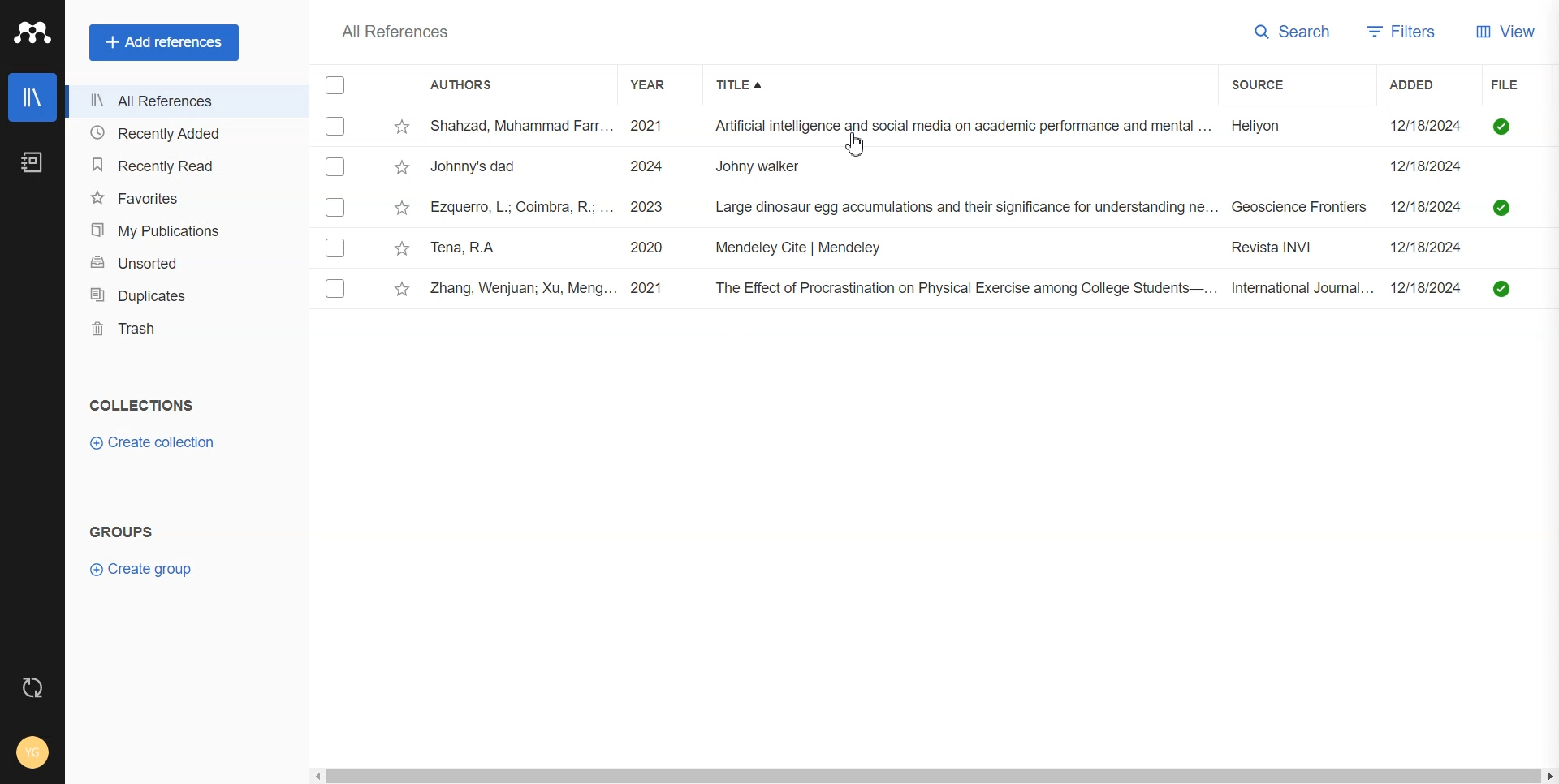  Describe the element at coordinates (404, 127) in the screenshot. I see `star` at that location.